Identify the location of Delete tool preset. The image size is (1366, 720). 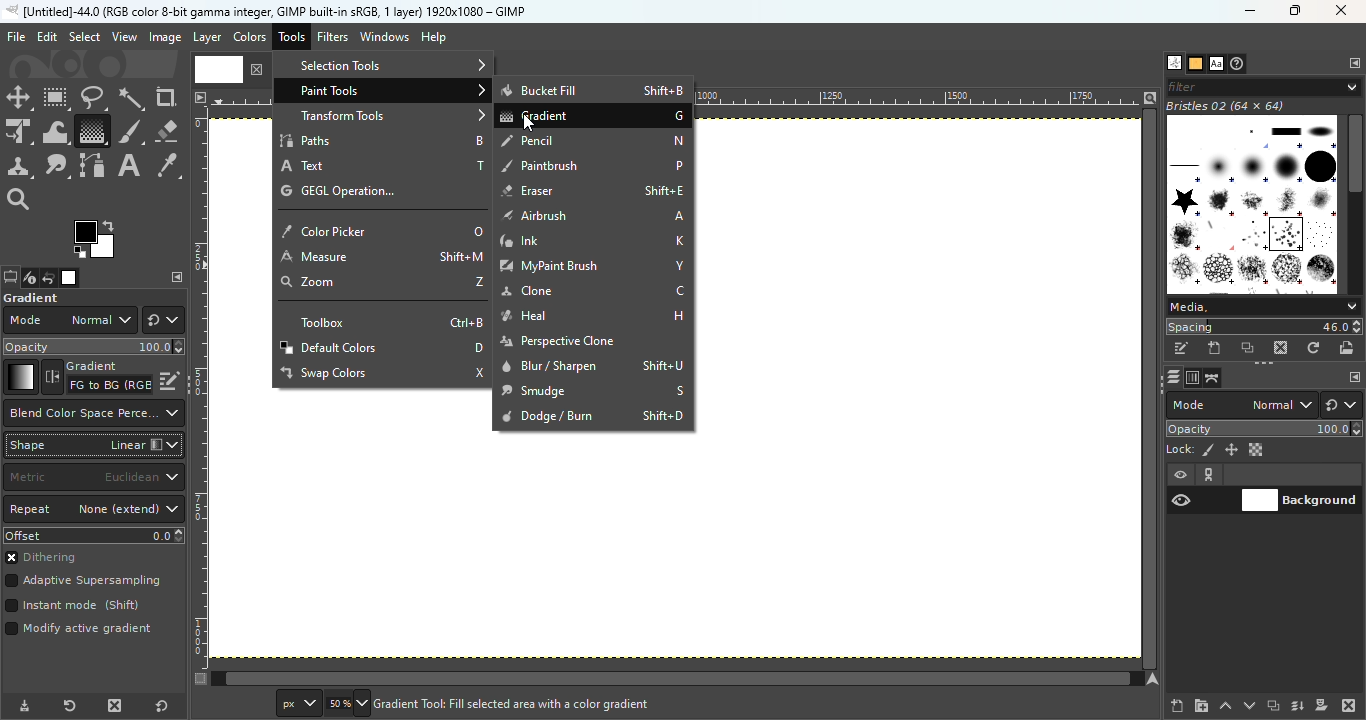
(110, 706).